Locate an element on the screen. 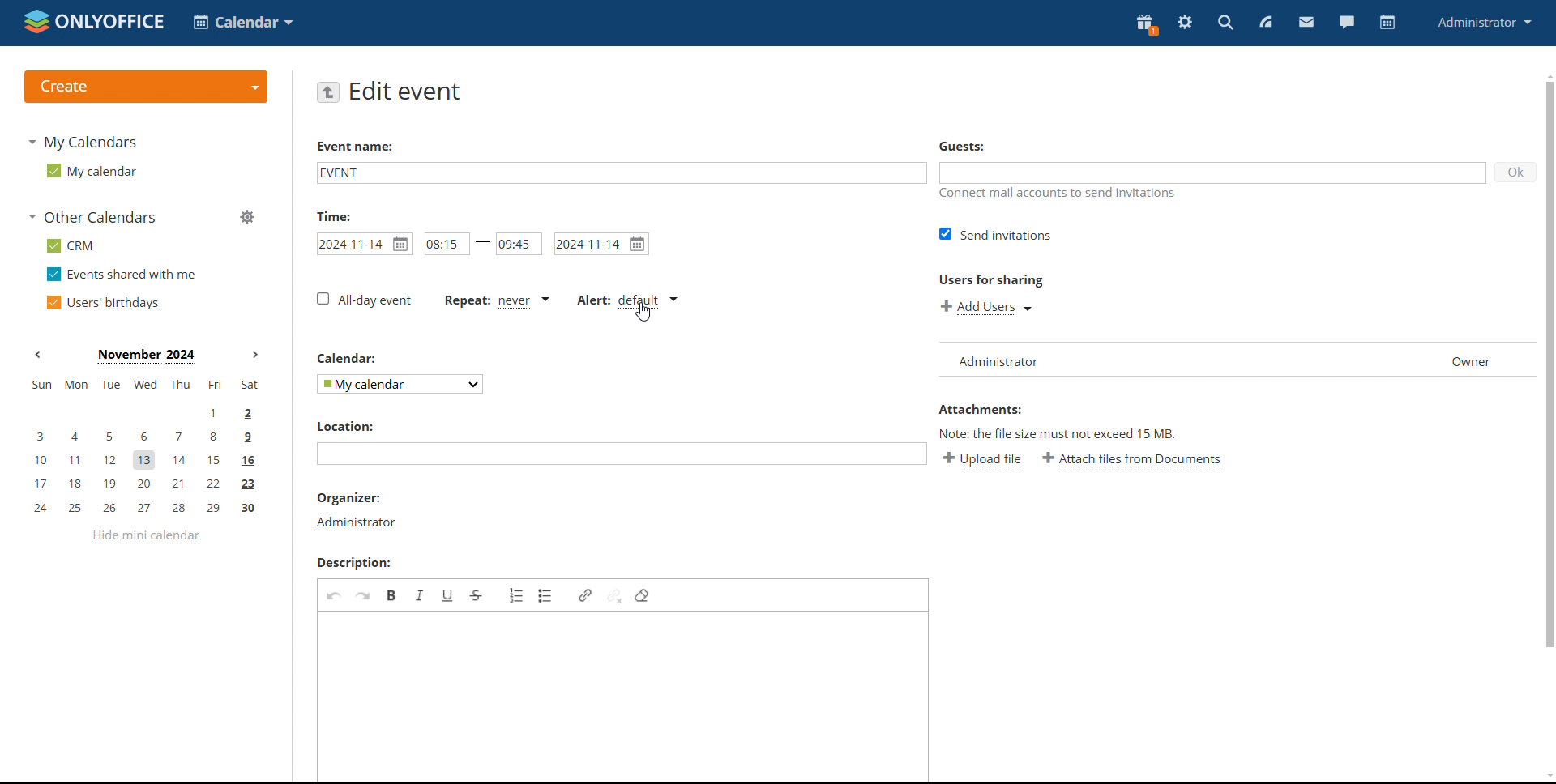 The width and height of the screenshot is (1556, 784). upload file is located at coordinates (982, 459).